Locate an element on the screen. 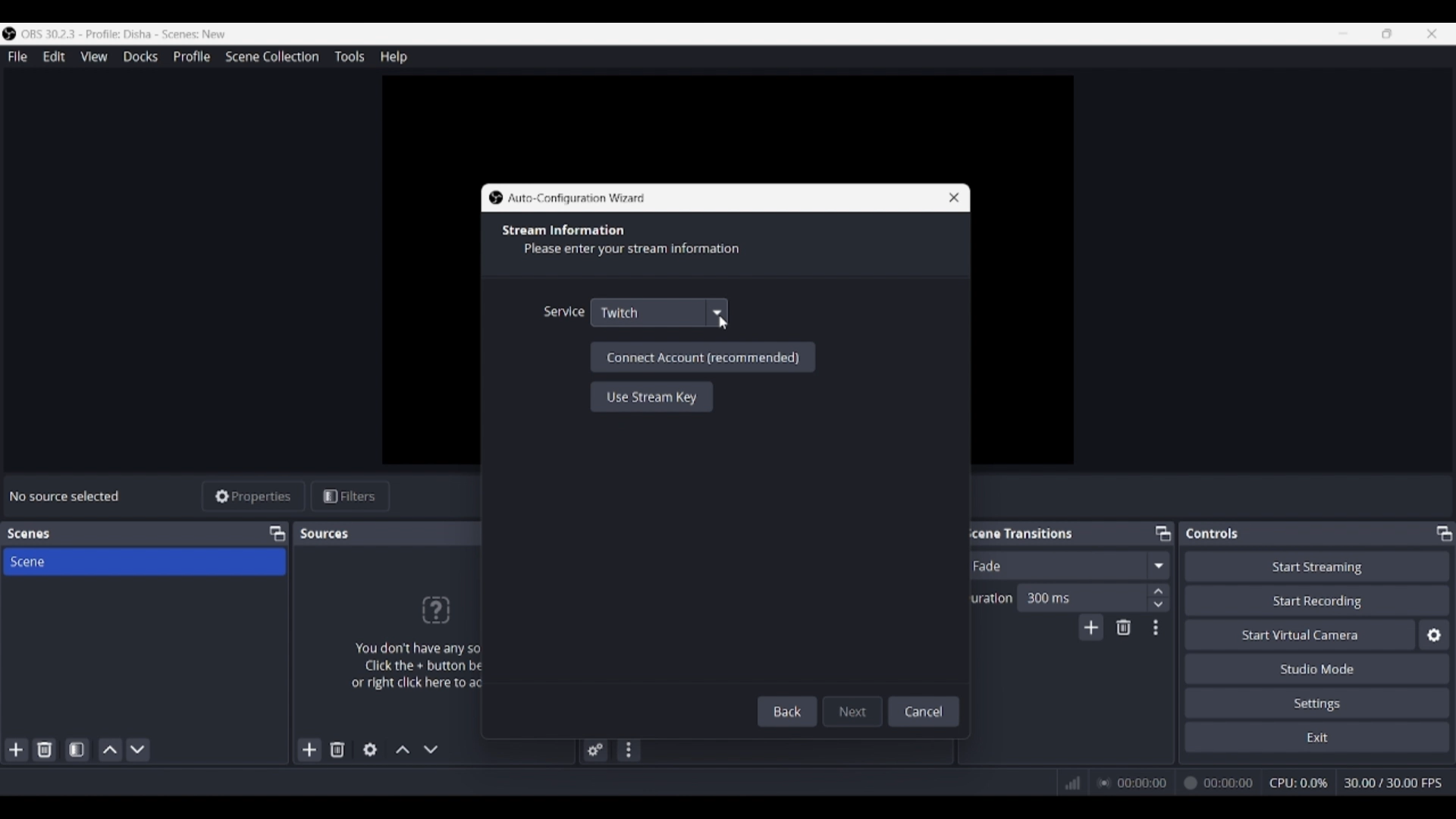 The image size is (1456, 819). Current fade is located at coordinates (1053, 565).